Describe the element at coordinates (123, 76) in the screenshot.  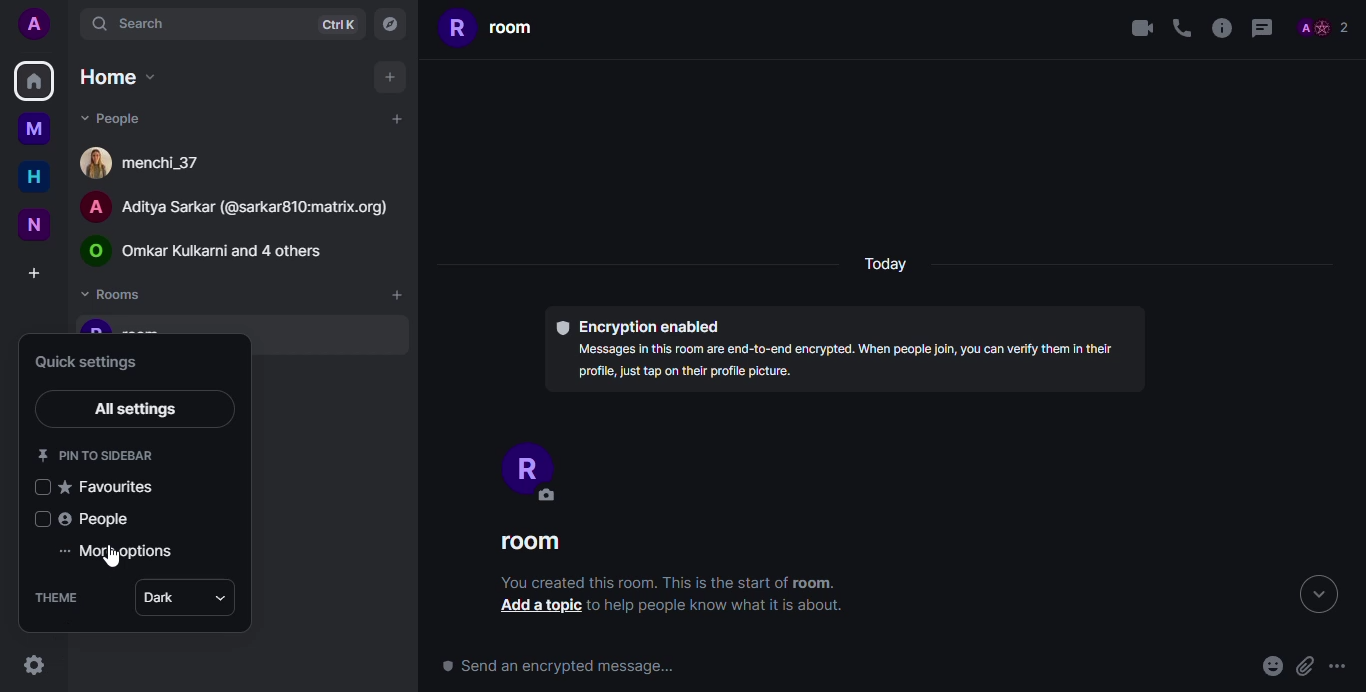
I see `home dropdown` at that location.